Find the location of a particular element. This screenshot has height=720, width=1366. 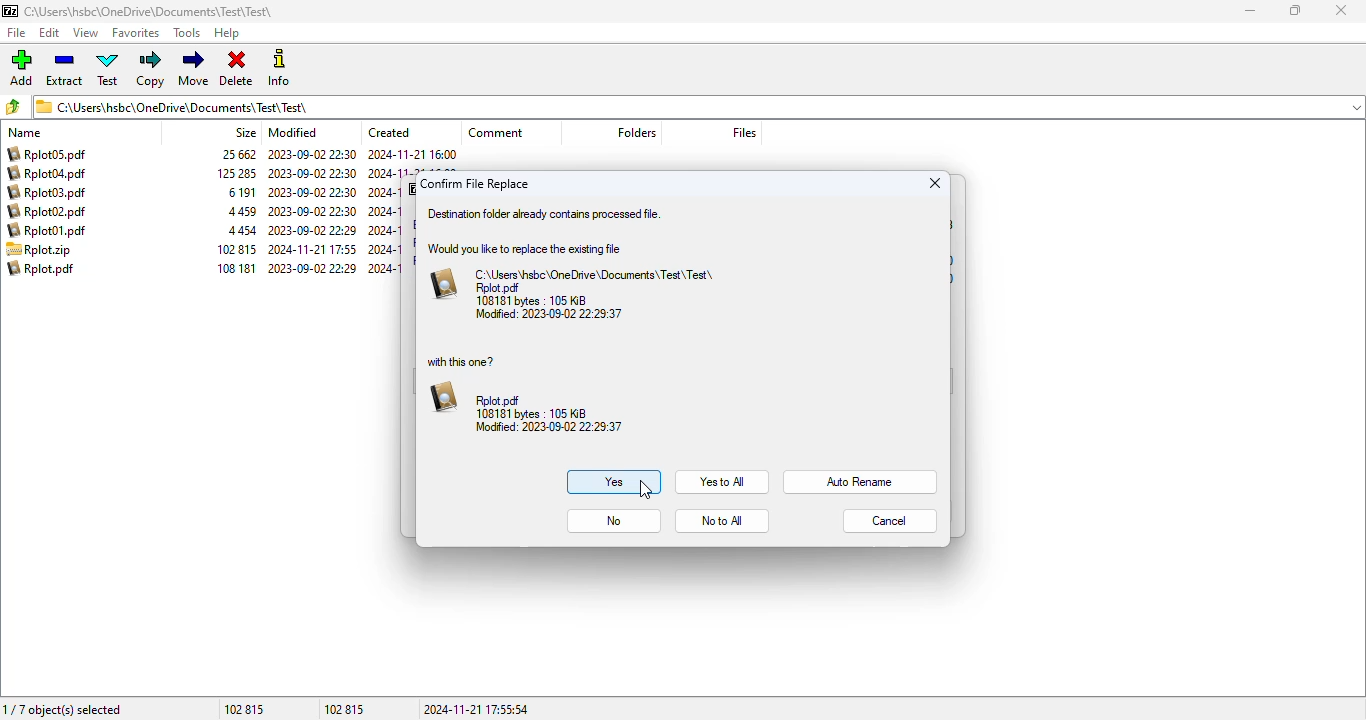

help is located at coordinates (226, 34).